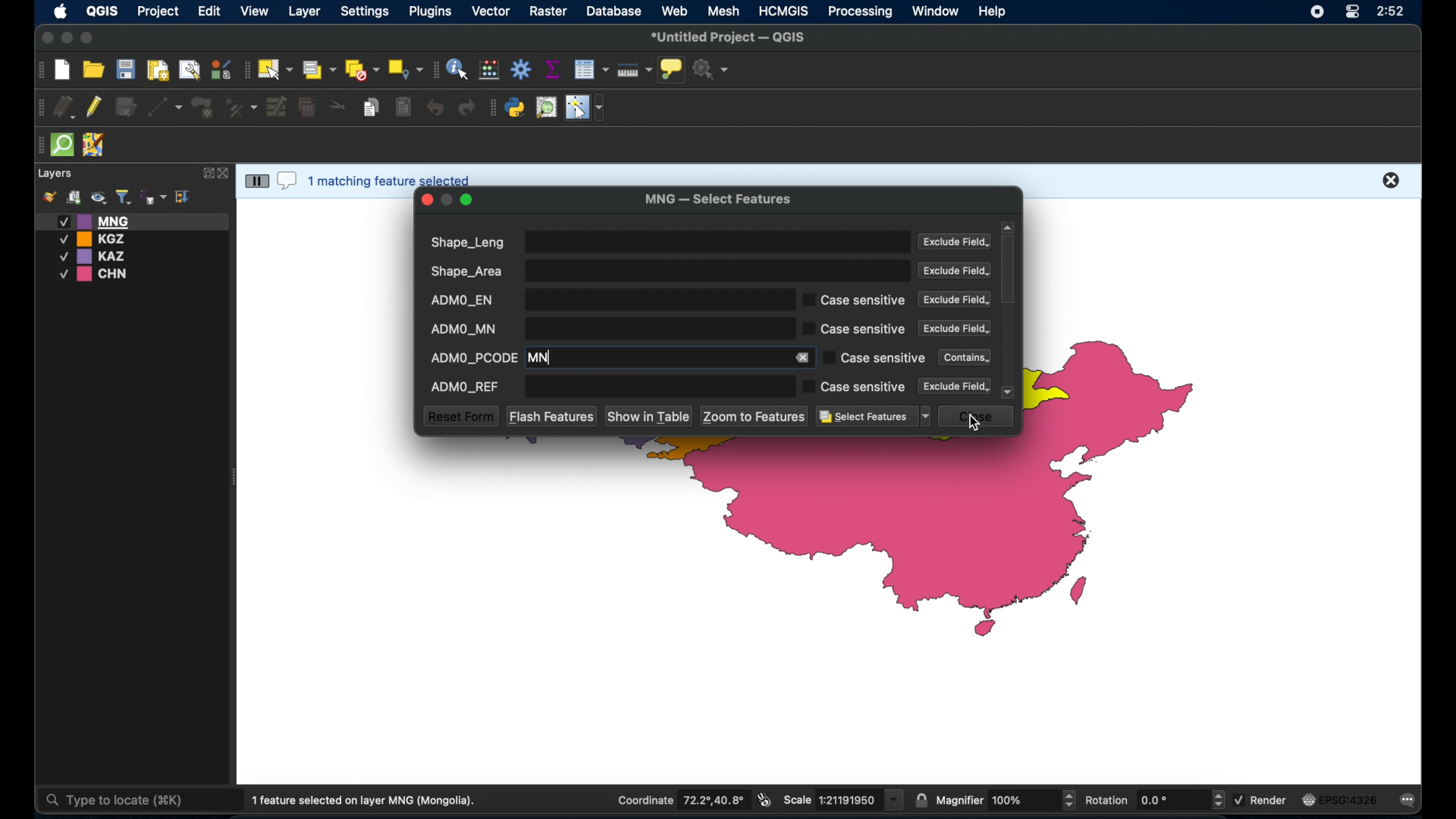 The width and height of the screenshot is (1456, 819). I want to click on MN, so click(655, 357).